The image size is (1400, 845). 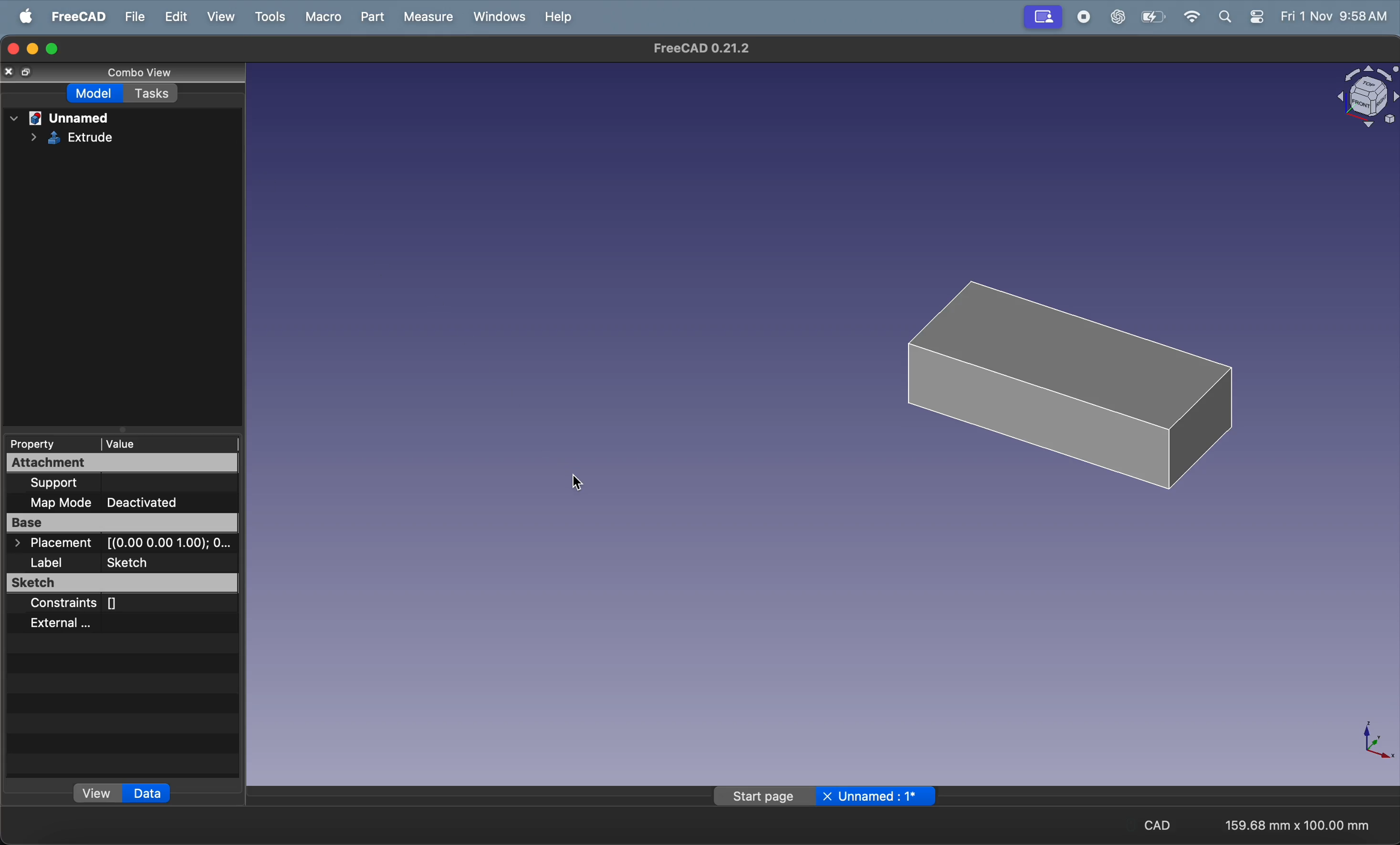 I want to click on tasks, so click(x=155, y=97).